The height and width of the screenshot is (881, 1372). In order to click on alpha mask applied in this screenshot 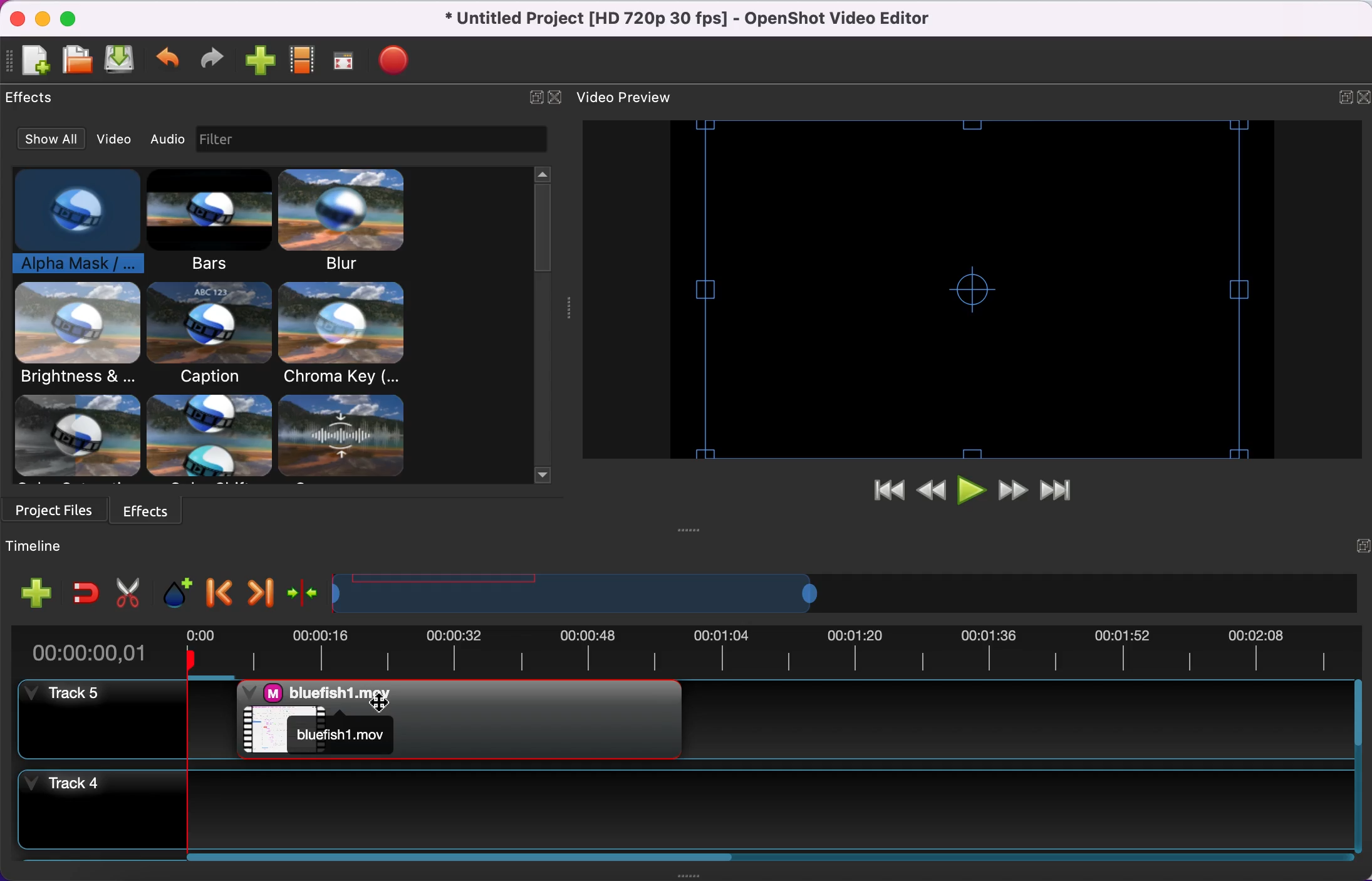, I will do `click(470, 722)`.